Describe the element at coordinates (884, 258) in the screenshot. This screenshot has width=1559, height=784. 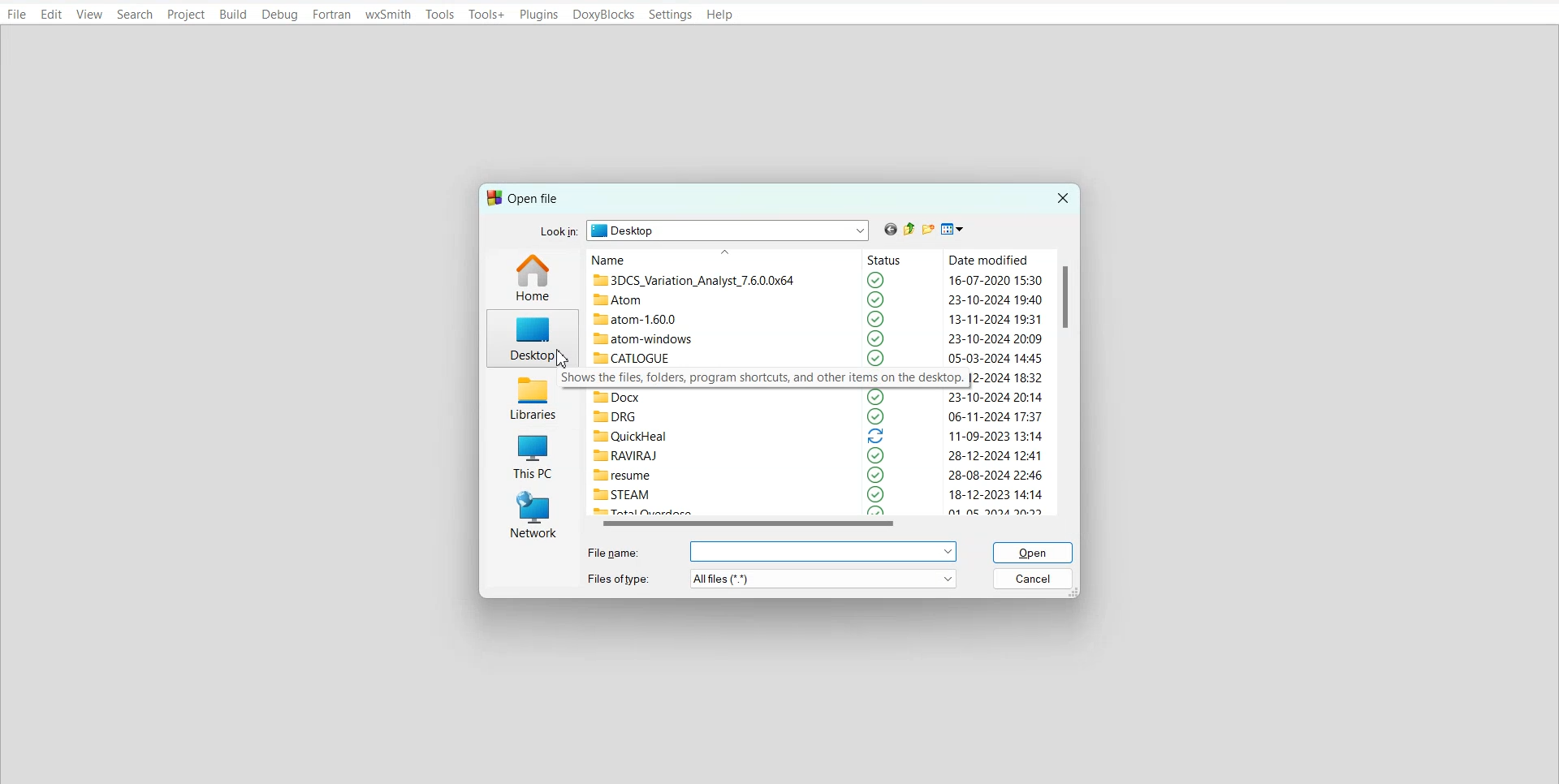
I see `Status` at that location.